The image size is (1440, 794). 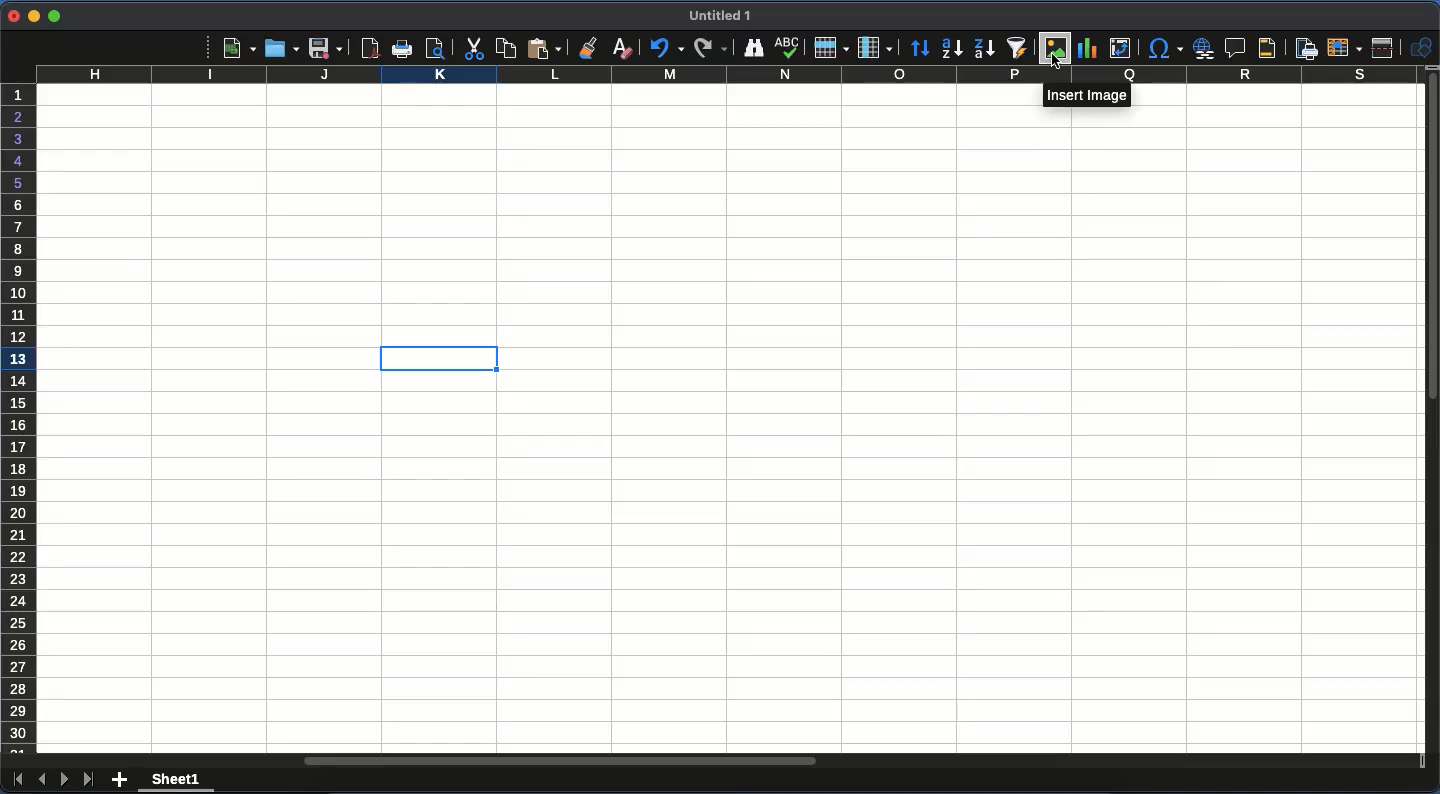 I want to click on cell selection, so click(x=436, y=360).